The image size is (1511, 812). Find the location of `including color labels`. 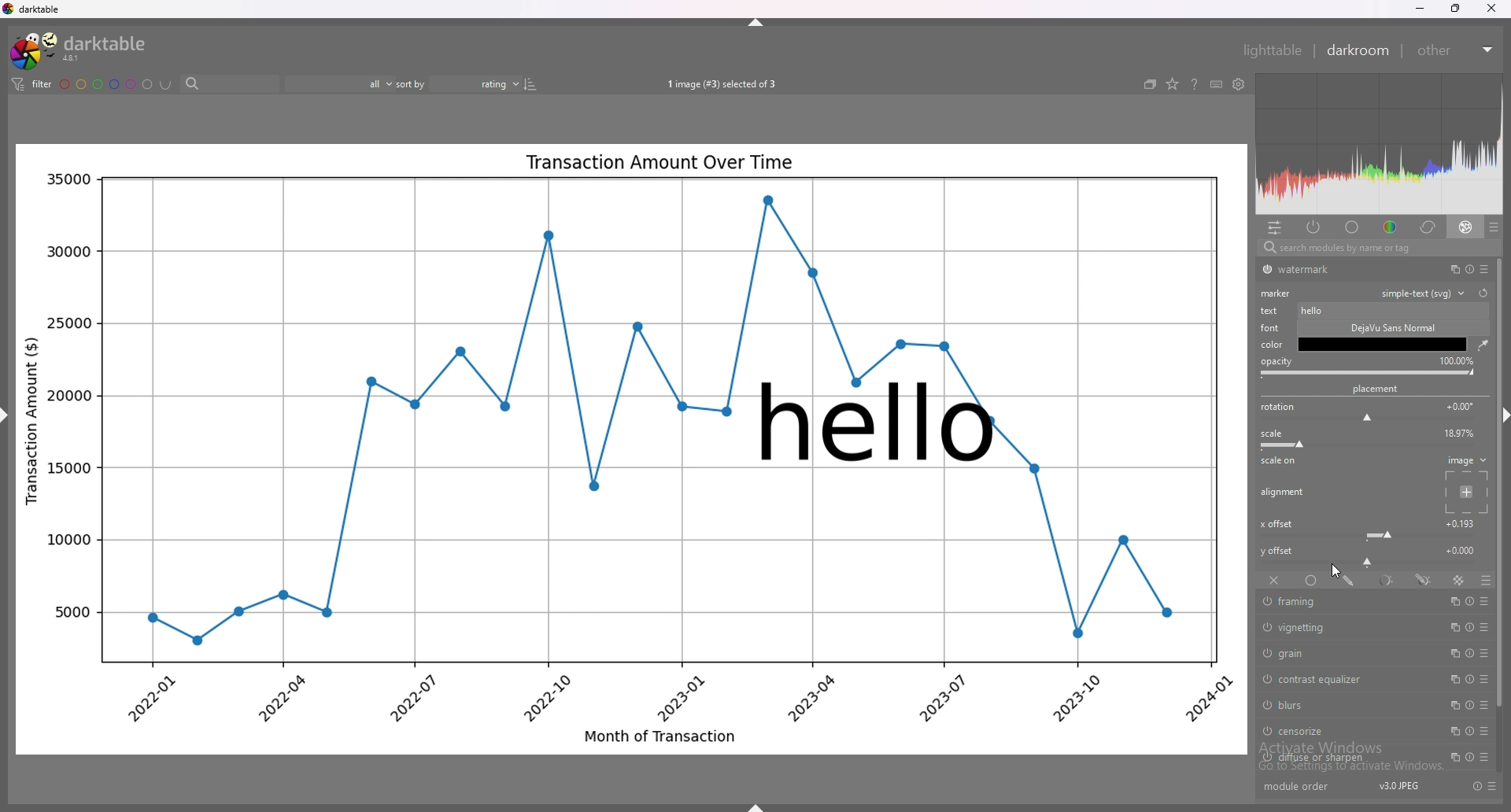

including color labels is located at coordinates (165, 85).